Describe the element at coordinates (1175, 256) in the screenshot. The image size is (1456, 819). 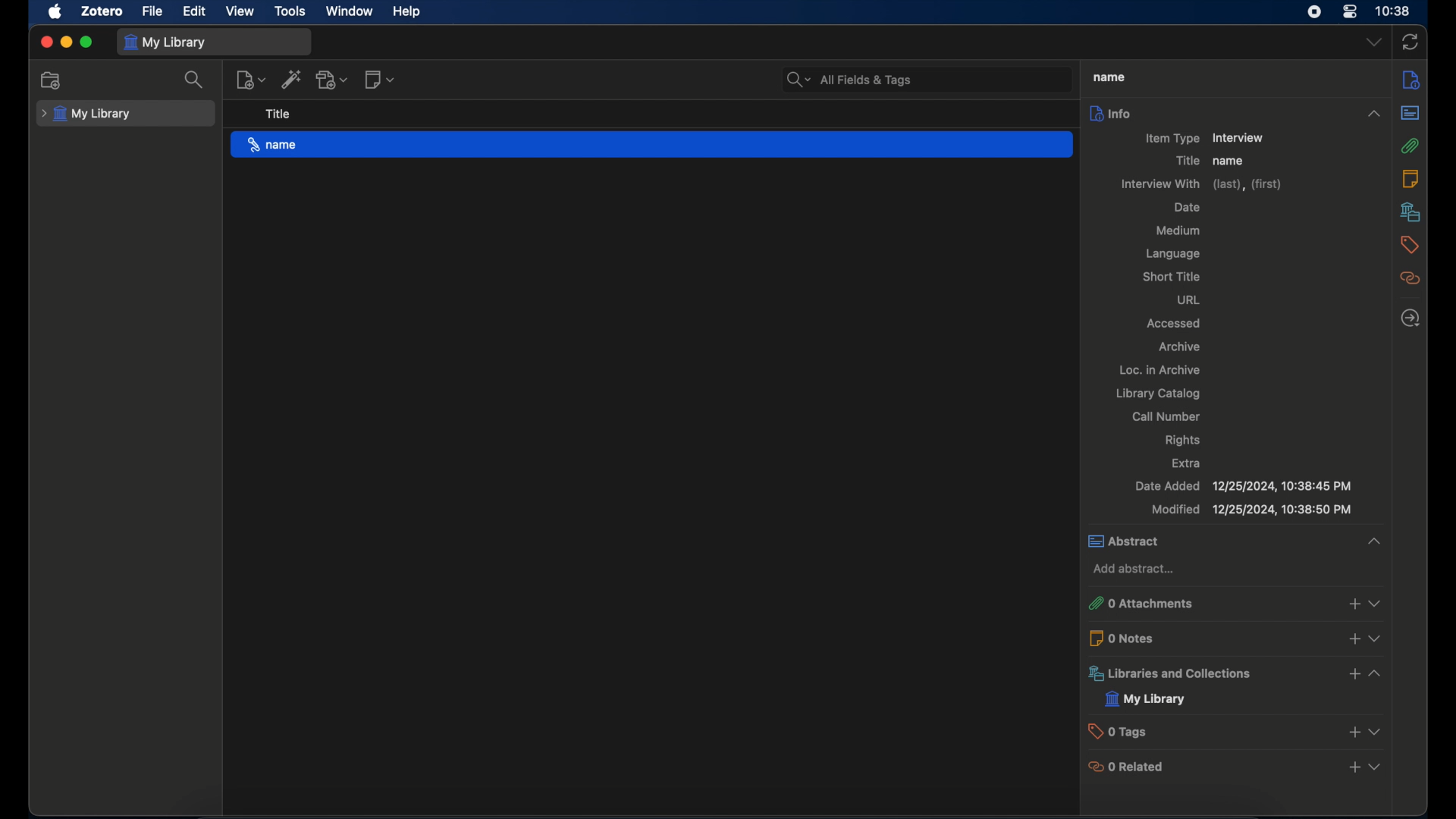
I see `language` at that location.